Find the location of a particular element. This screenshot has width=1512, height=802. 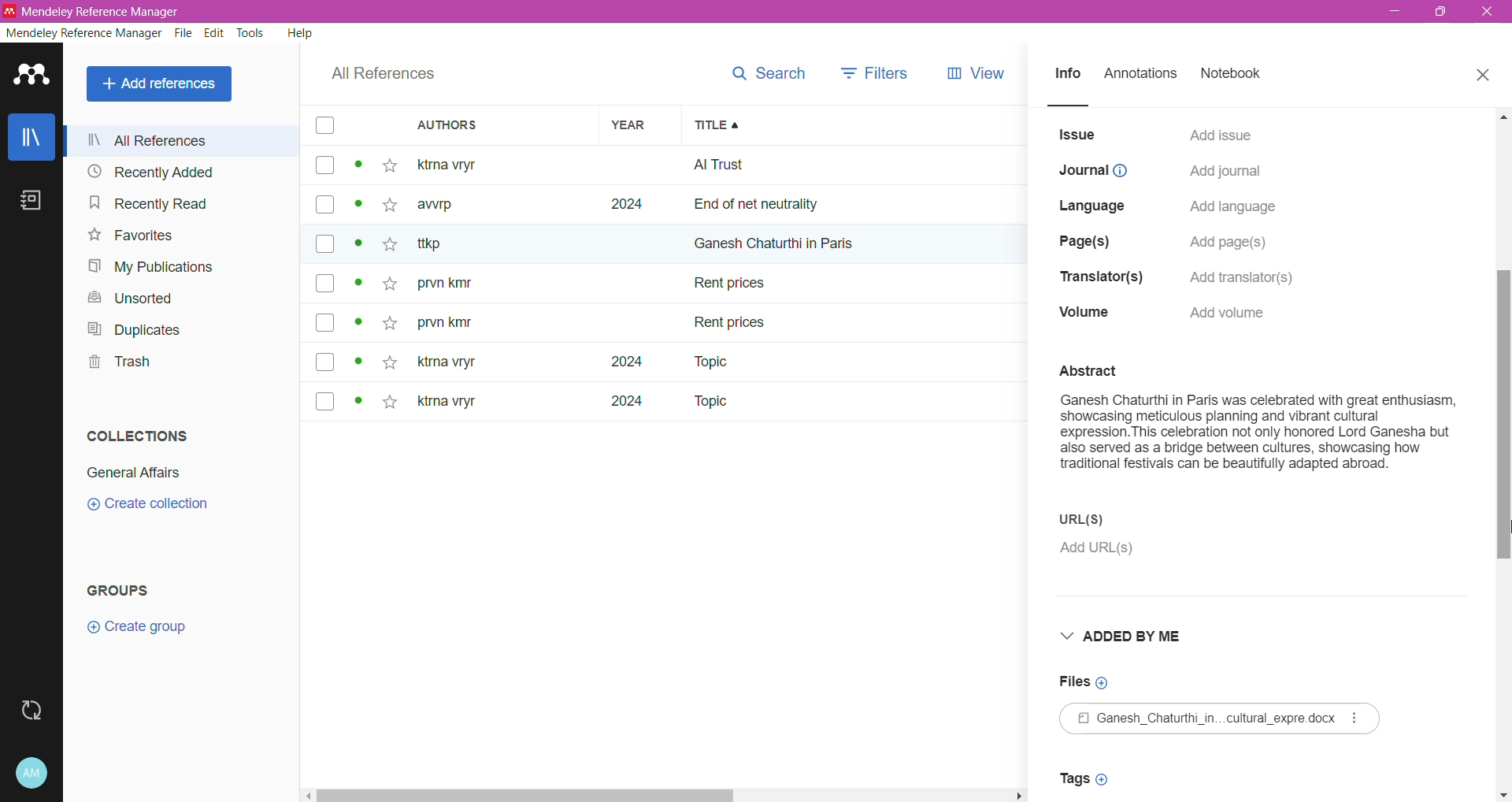

Page(s) is located at coordinates (1088, 238).